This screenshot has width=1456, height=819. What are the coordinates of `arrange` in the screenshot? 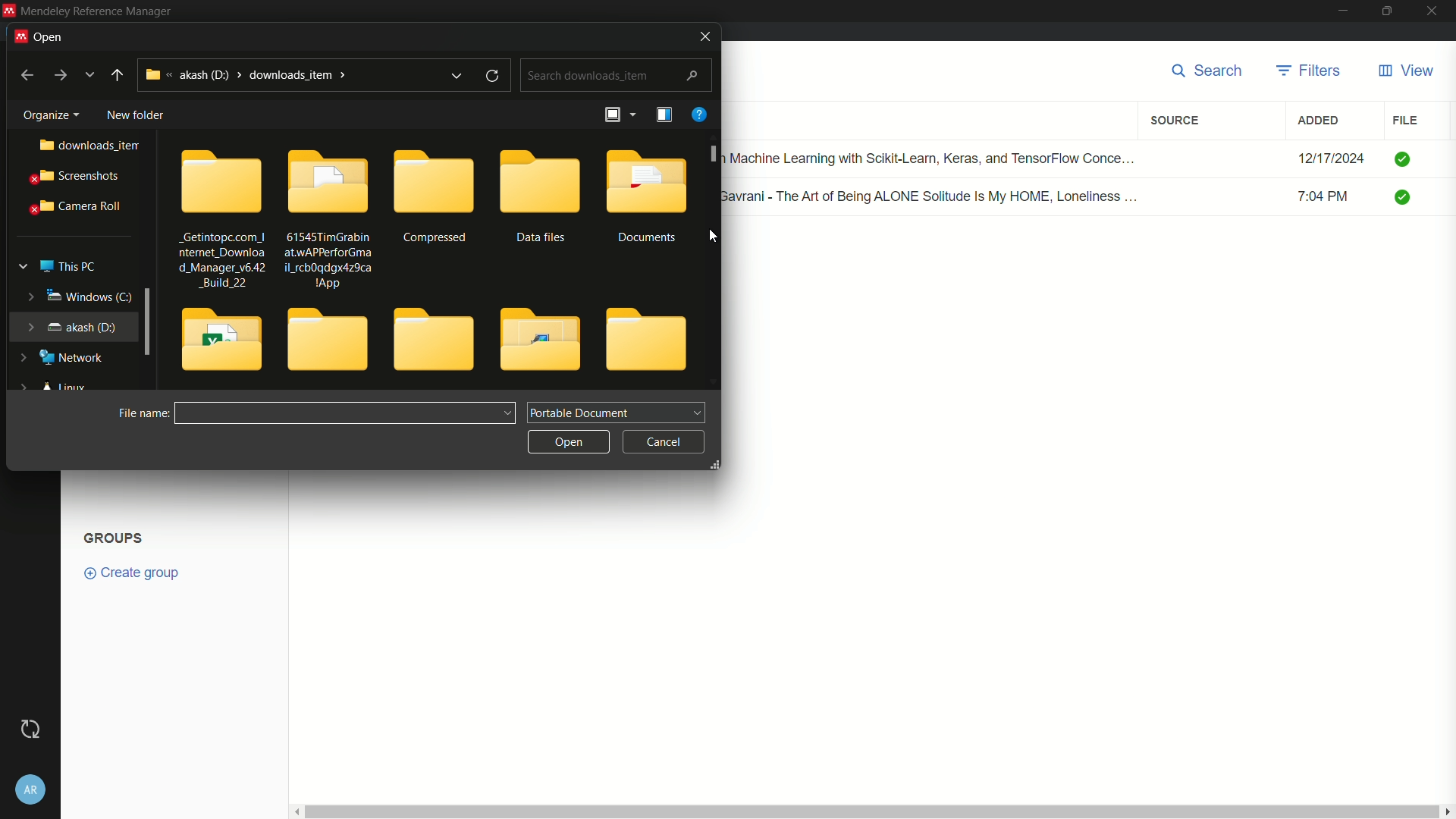 It's located at (617, 117).